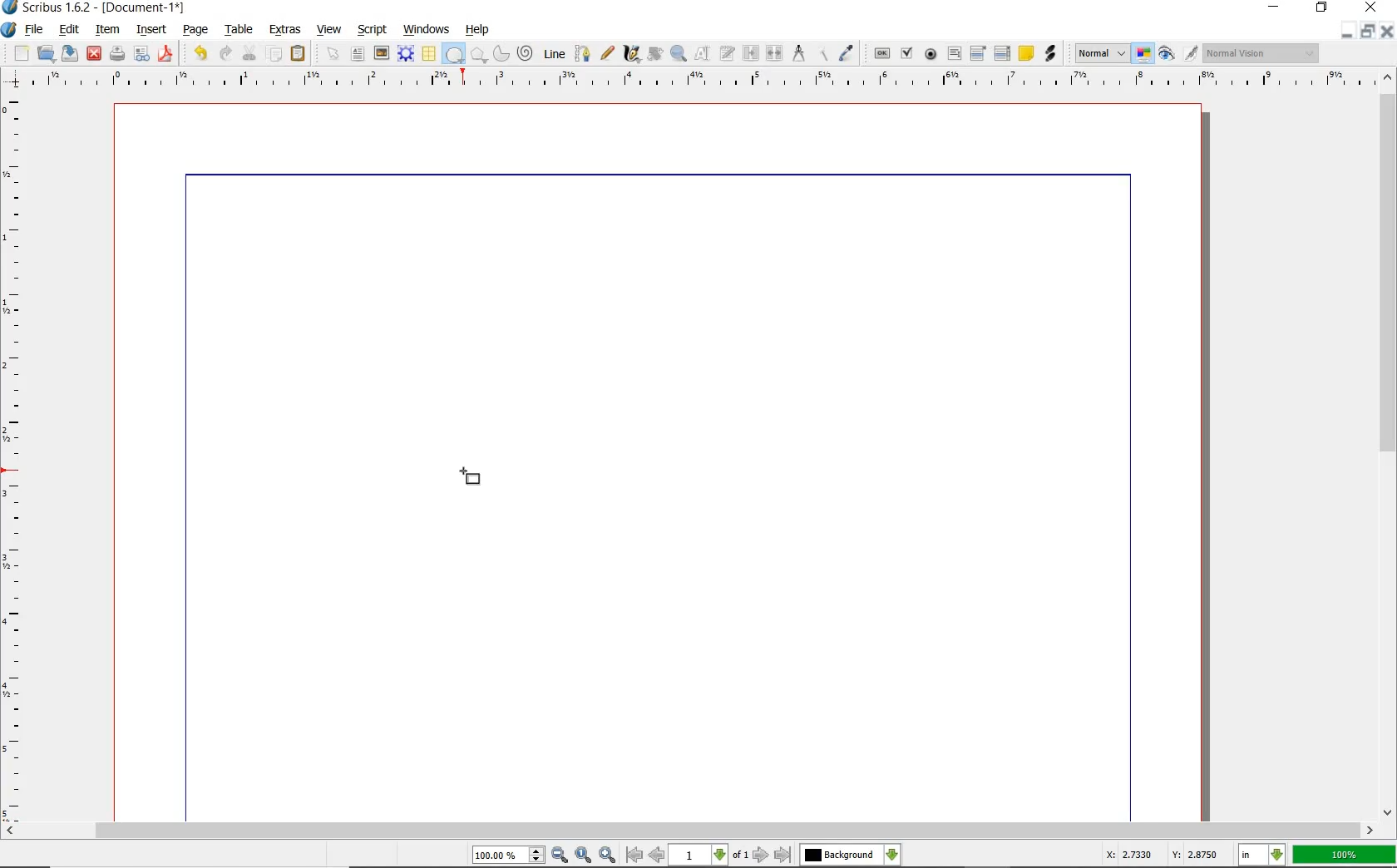 Image resolution: width=1397 pixels, height=868 pixels. I want to click on SAVE, so click(70, 53).